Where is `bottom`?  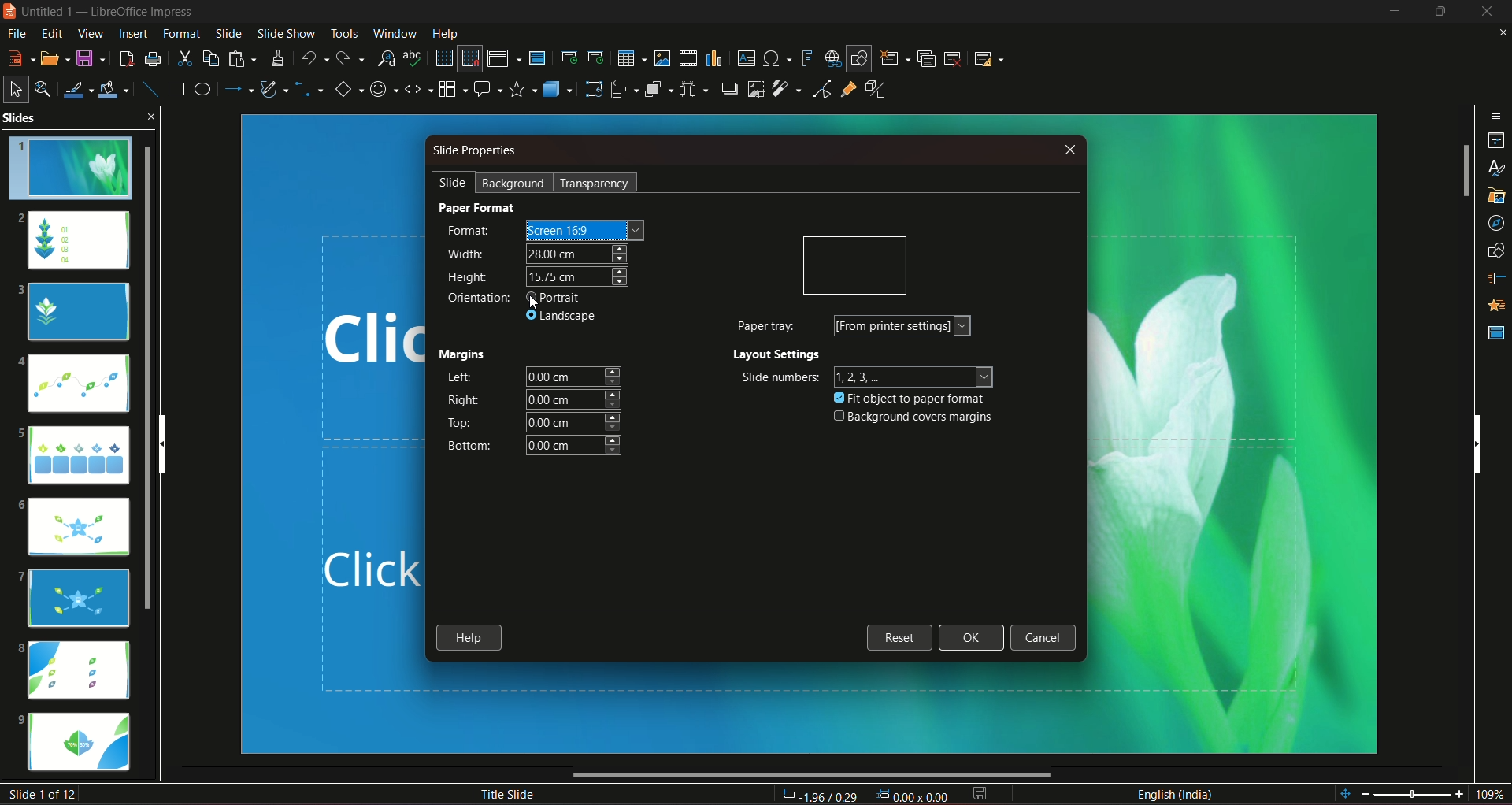
bottom is located at coordinates (467, 446).